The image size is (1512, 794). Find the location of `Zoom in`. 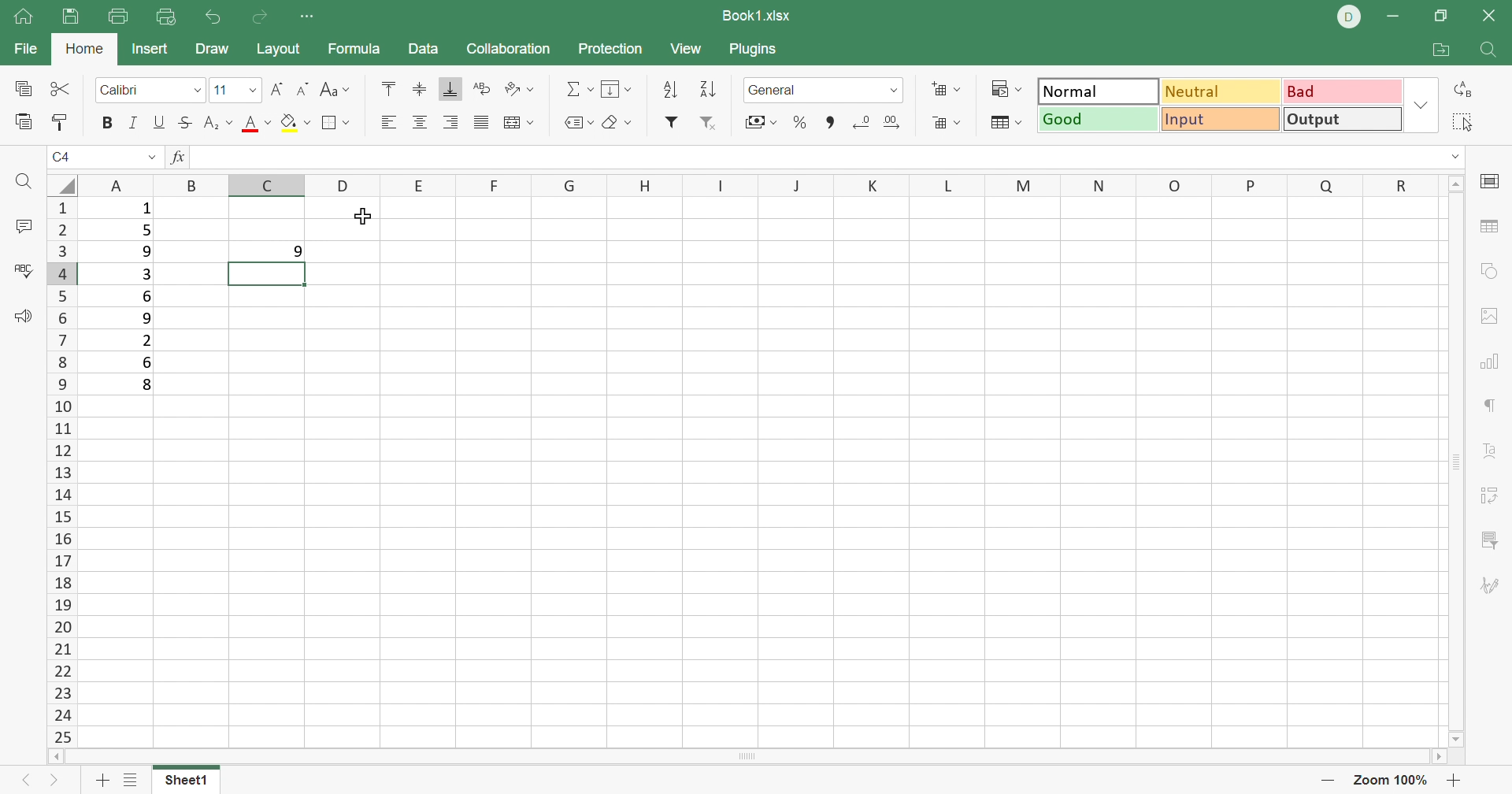

Zoom in is located at coordinates (1455, 781).